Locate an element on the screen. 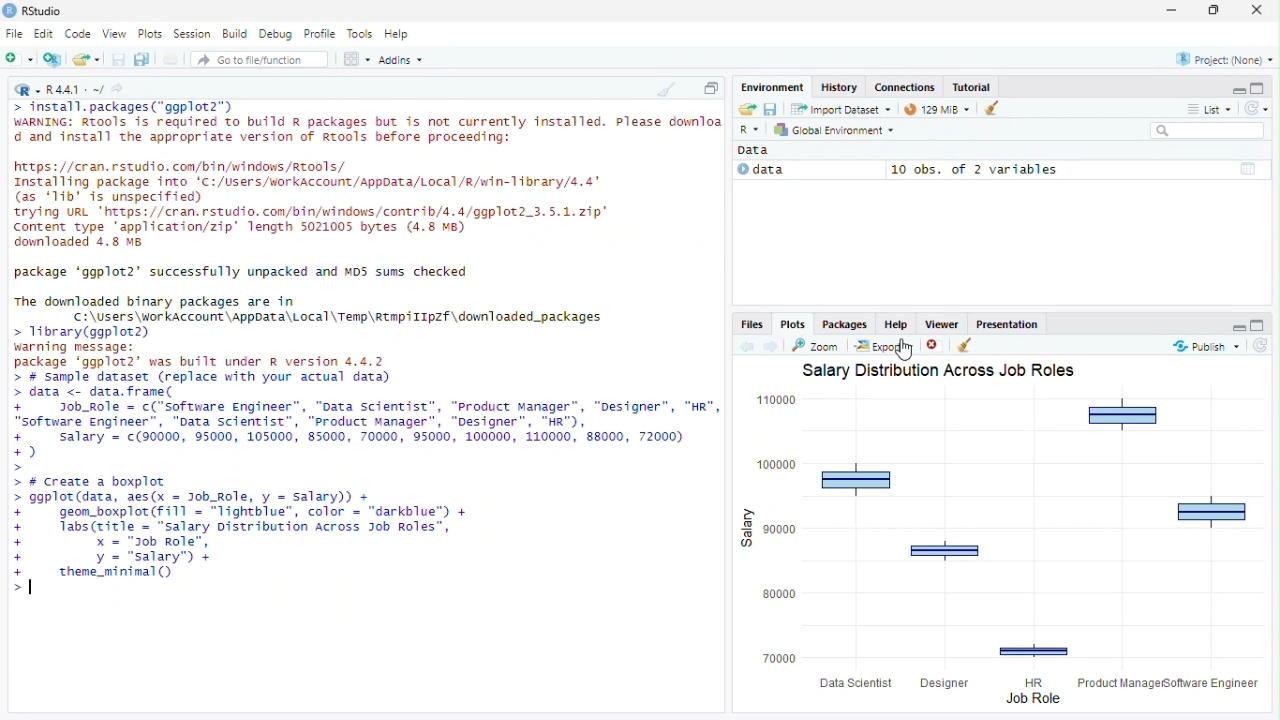 The image size is (1280, 720). Maximize is located at coordinates (1210, 11).